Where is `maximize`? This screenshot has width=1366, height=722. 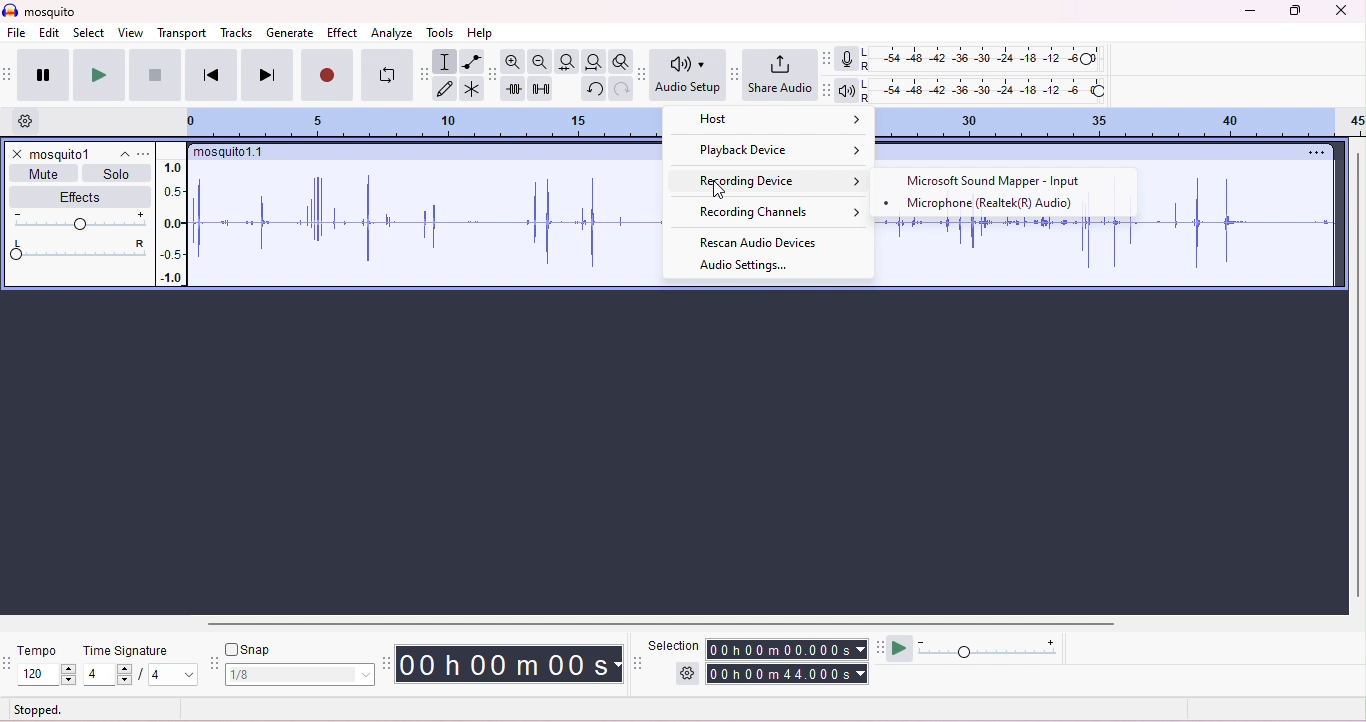 maximize is located at coordinates (1292, 11).